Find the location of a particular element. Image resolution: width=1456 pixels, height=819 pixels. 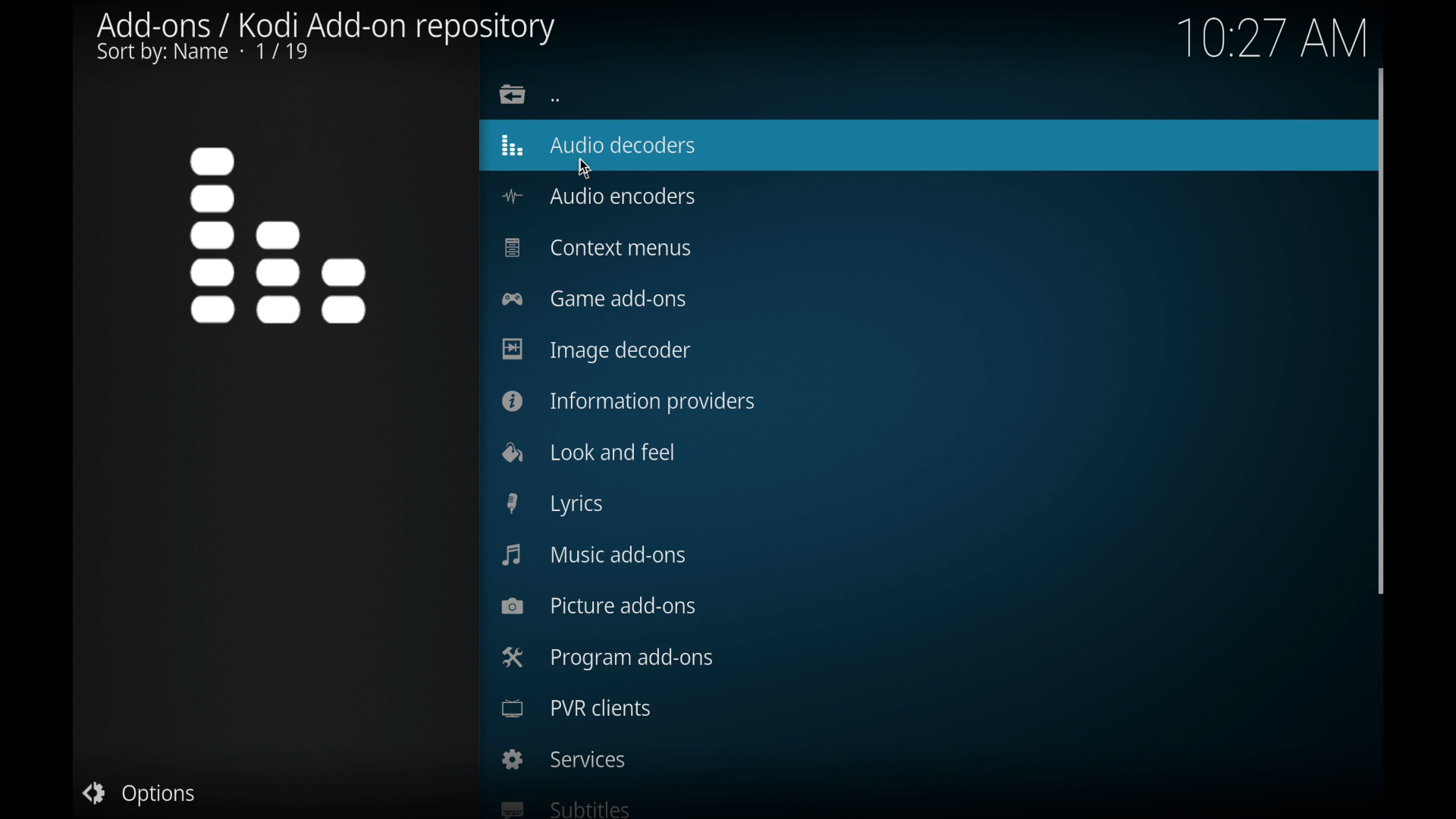

folder  is located at coordinates (513, 94).